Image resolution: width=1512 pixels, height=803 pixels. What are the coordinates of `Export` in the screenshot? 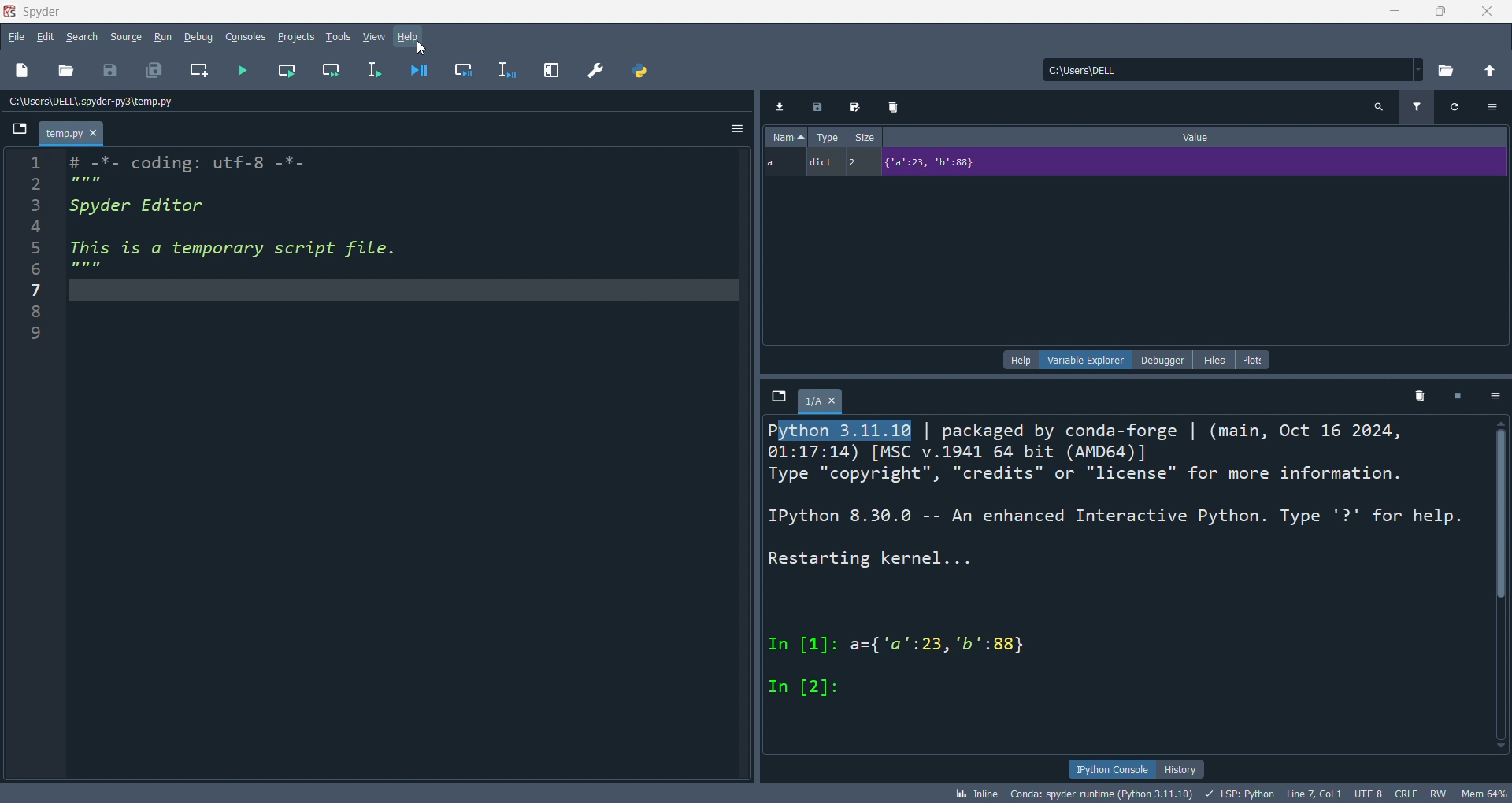 It's located at (817, 105).